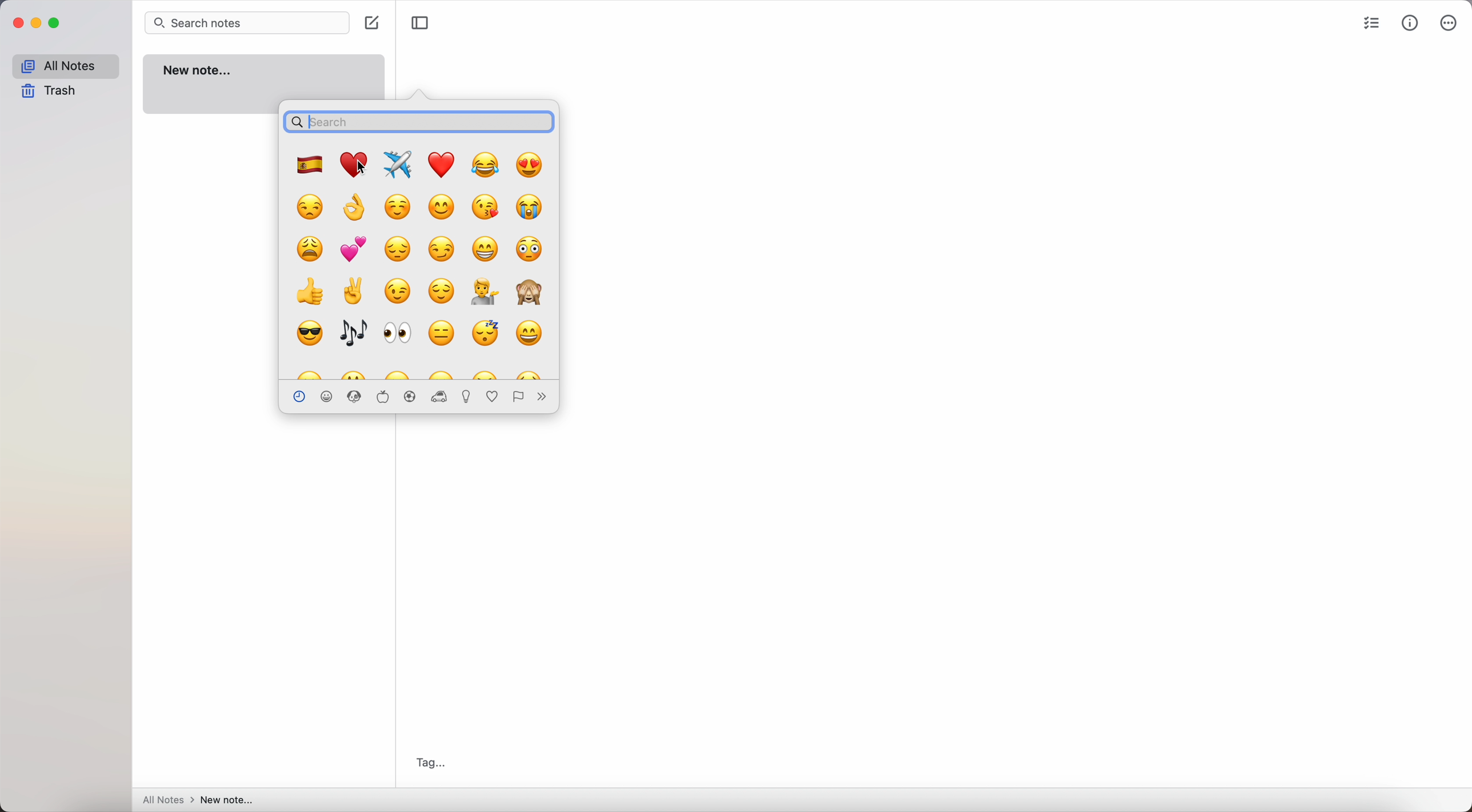 Image resolution: width=1472 pixels, height=812 pixels. I want to click on new note, so click(262, 77).